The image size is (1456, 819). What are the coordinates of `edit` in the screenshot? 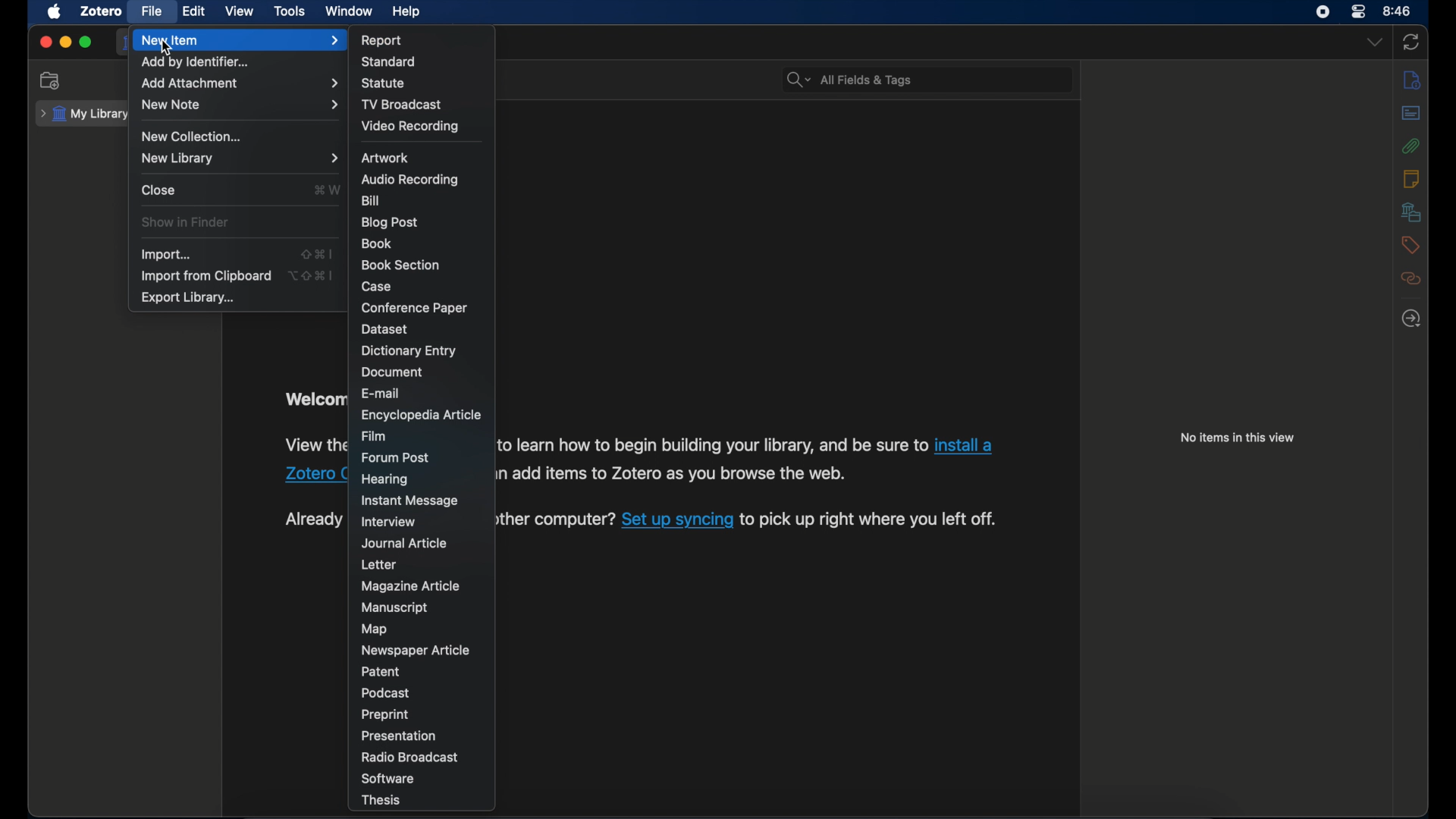 It's located at (194, 11).